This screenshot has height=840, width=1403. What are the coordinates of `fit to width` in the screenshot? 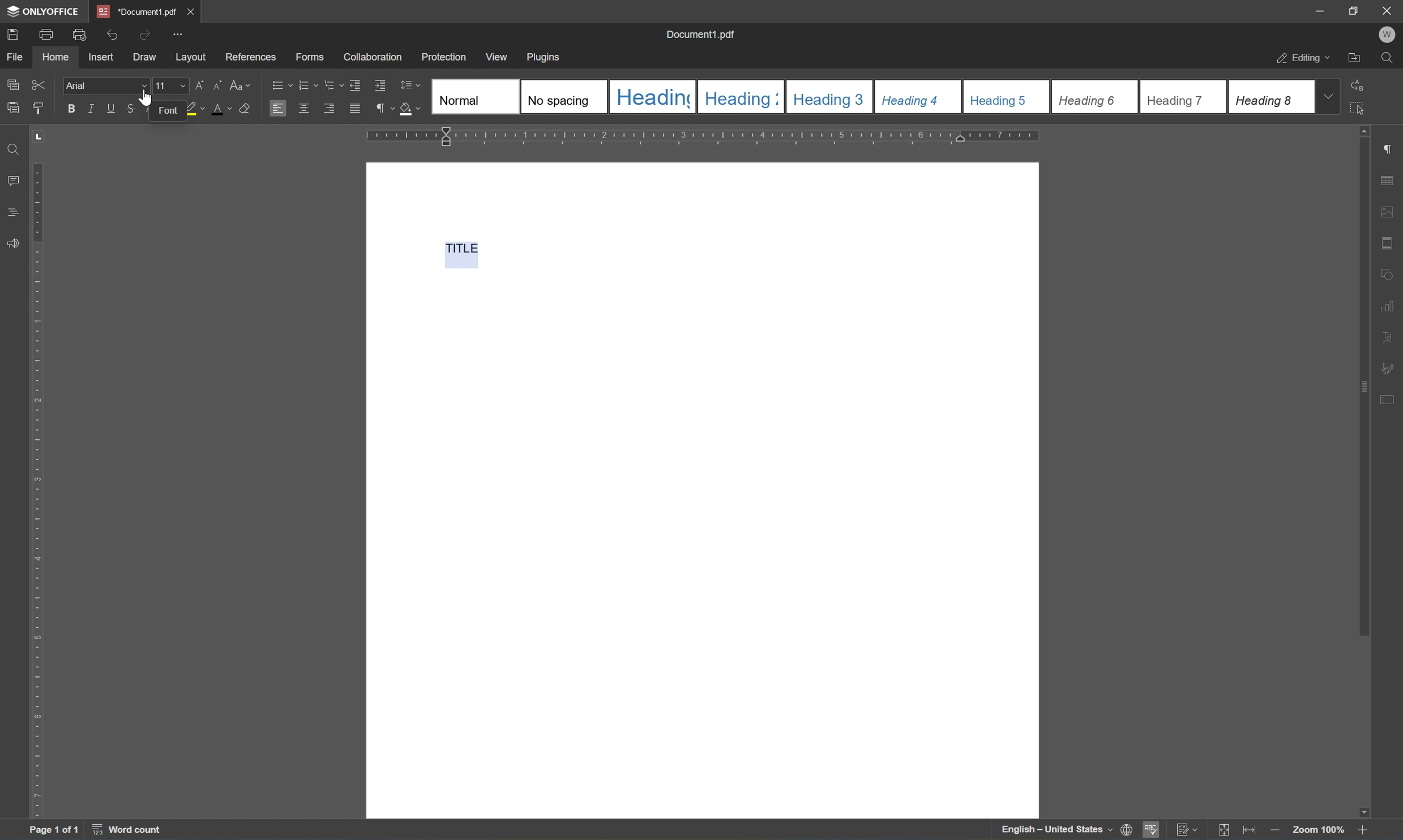 It's located at (1251, 830).